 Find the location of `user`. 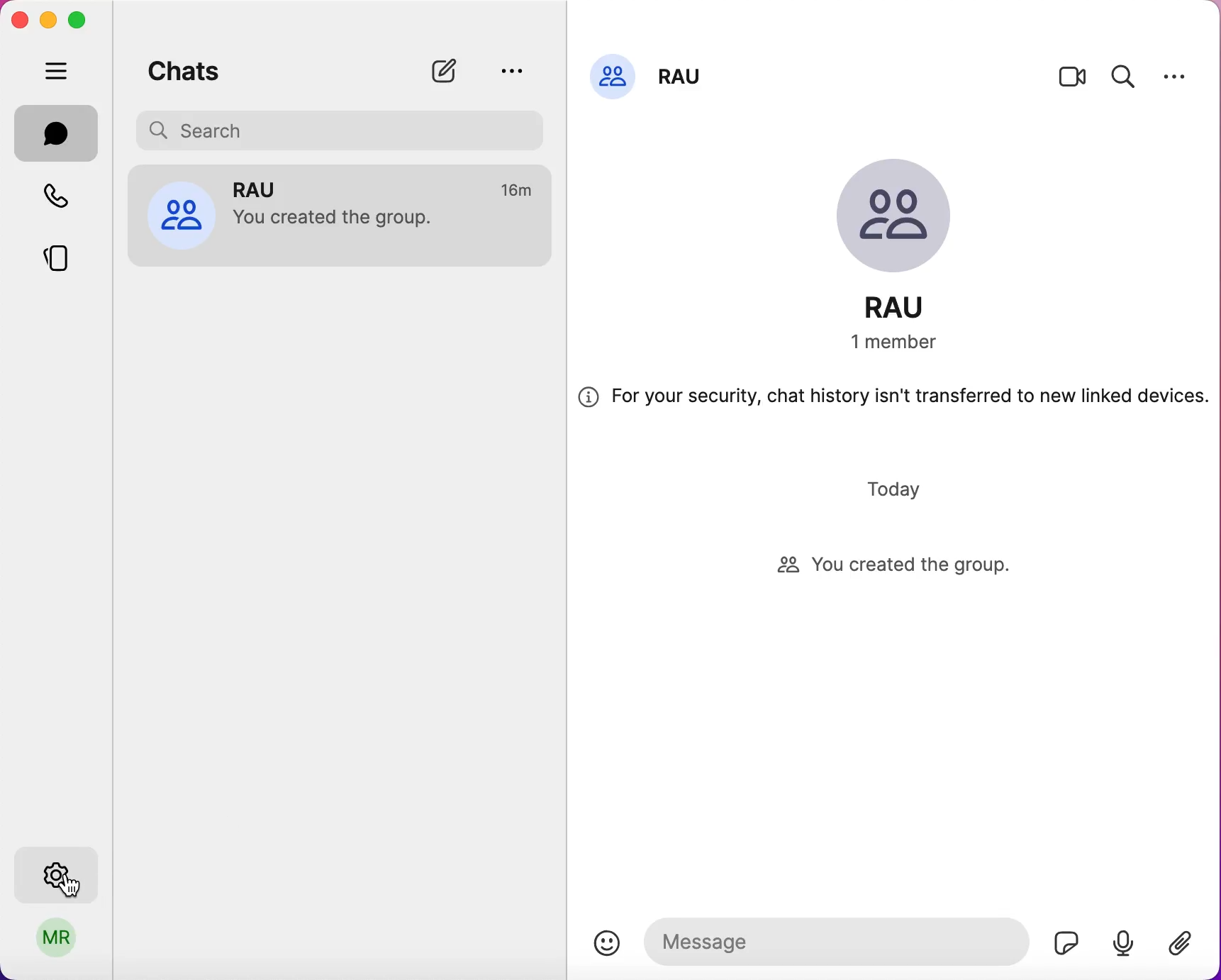

user is located at coordinates (57, 942).